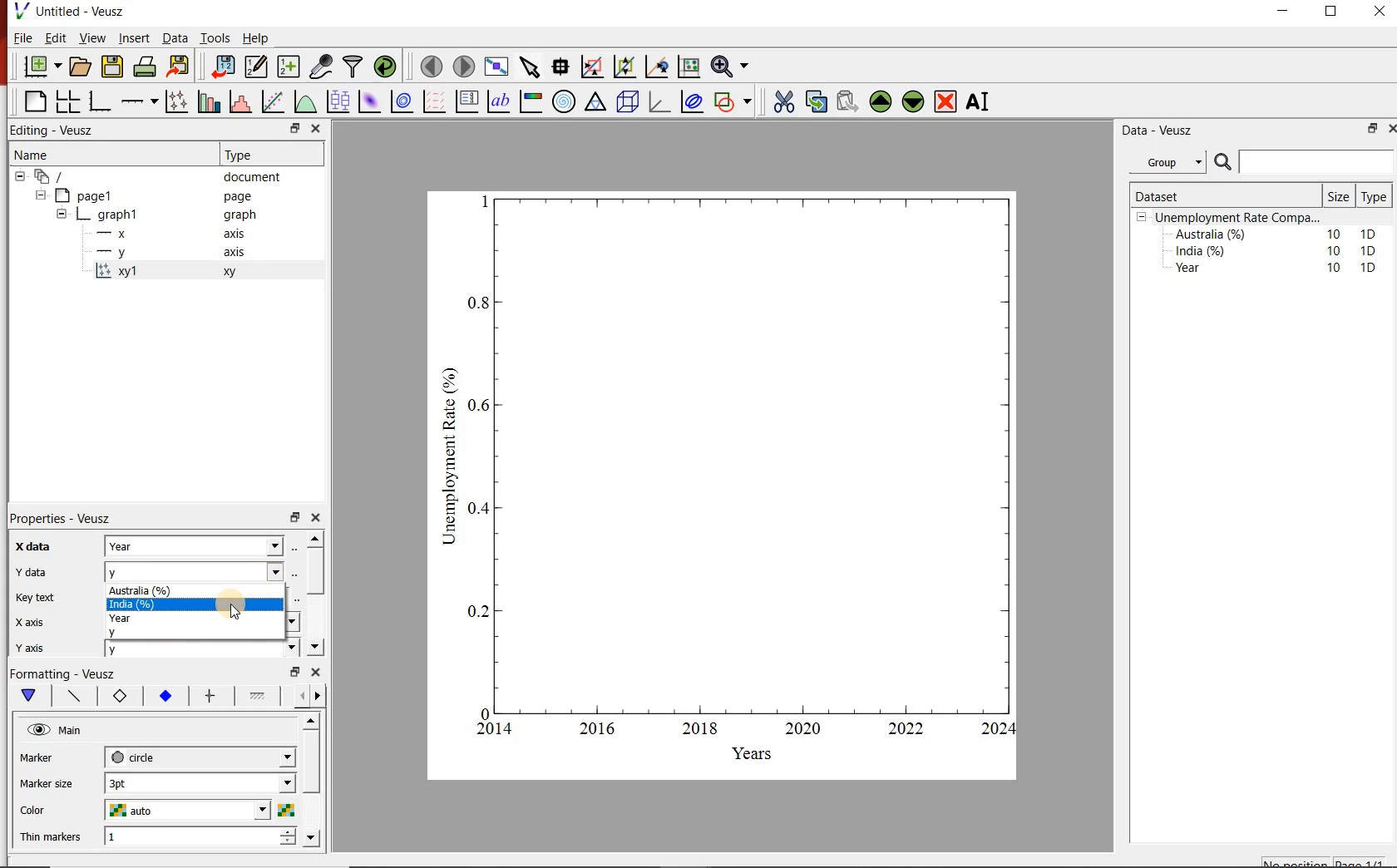 This screenshot has width=1397, height=868. I want to click on move up, so click(313, 721).